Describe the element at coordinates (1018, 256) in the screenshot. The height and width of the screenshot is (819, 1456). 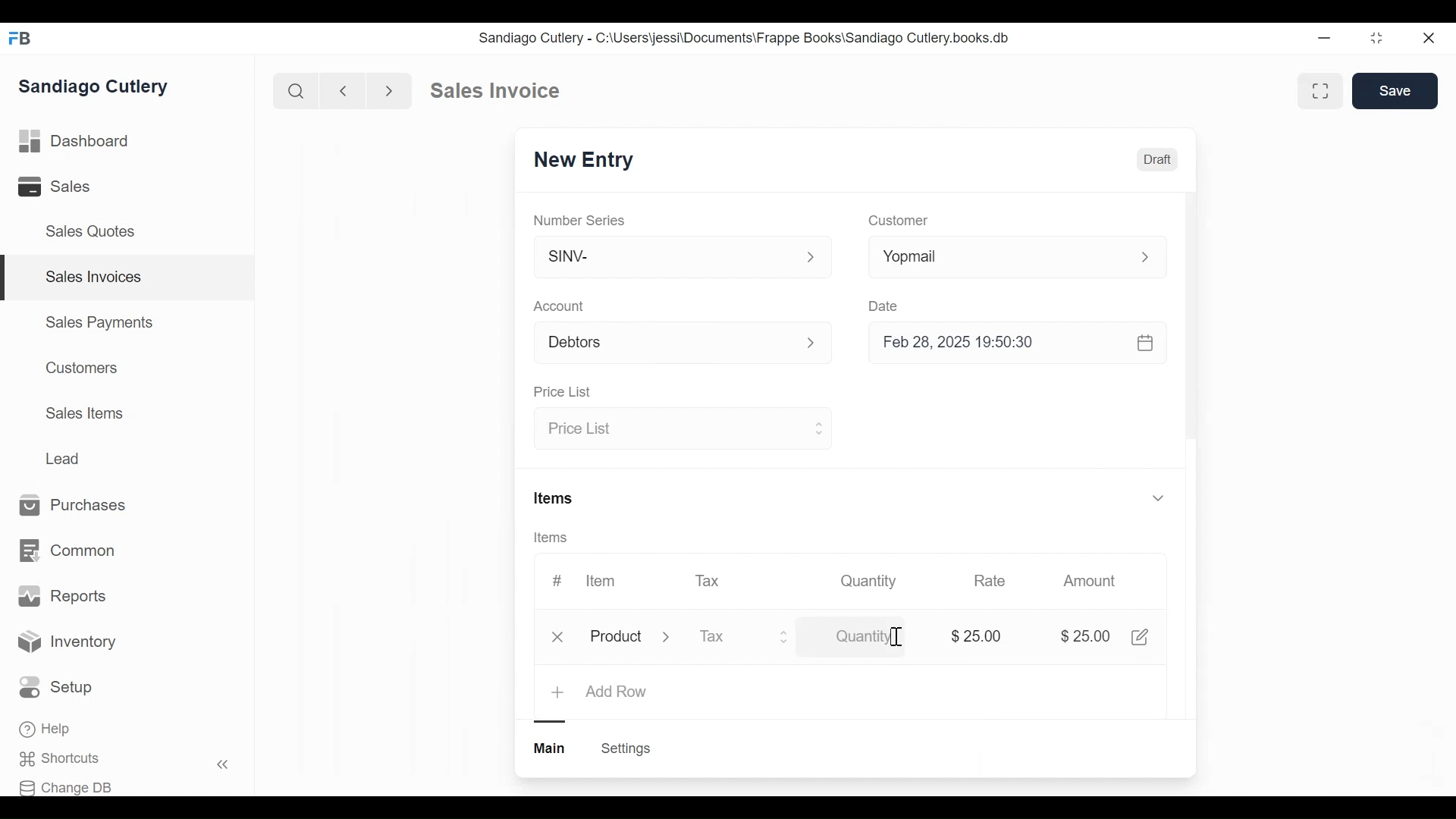
I see `Yopmail` at that location.